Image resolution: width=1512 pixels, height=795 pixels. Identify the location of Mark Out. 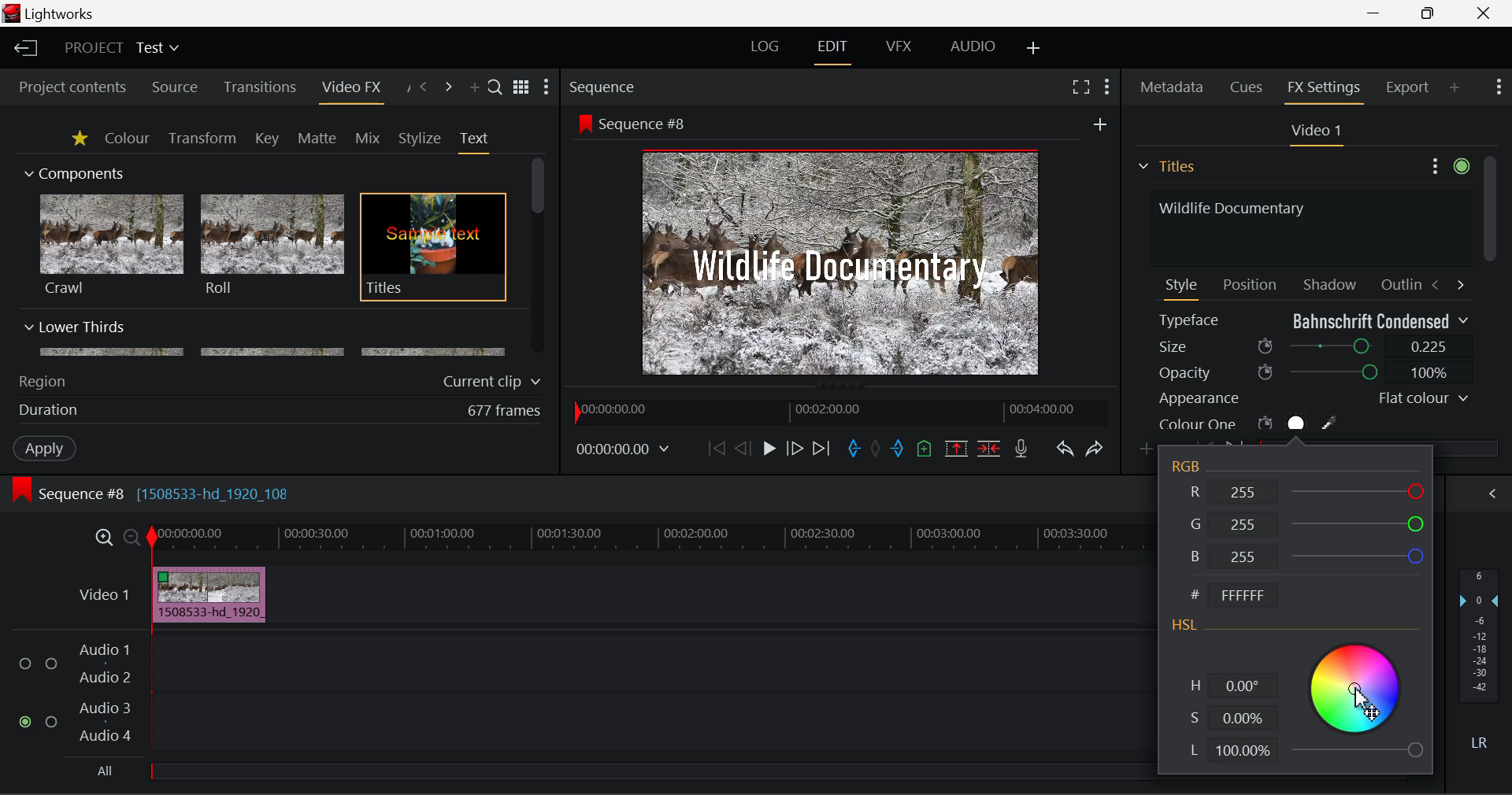
(899, 450).